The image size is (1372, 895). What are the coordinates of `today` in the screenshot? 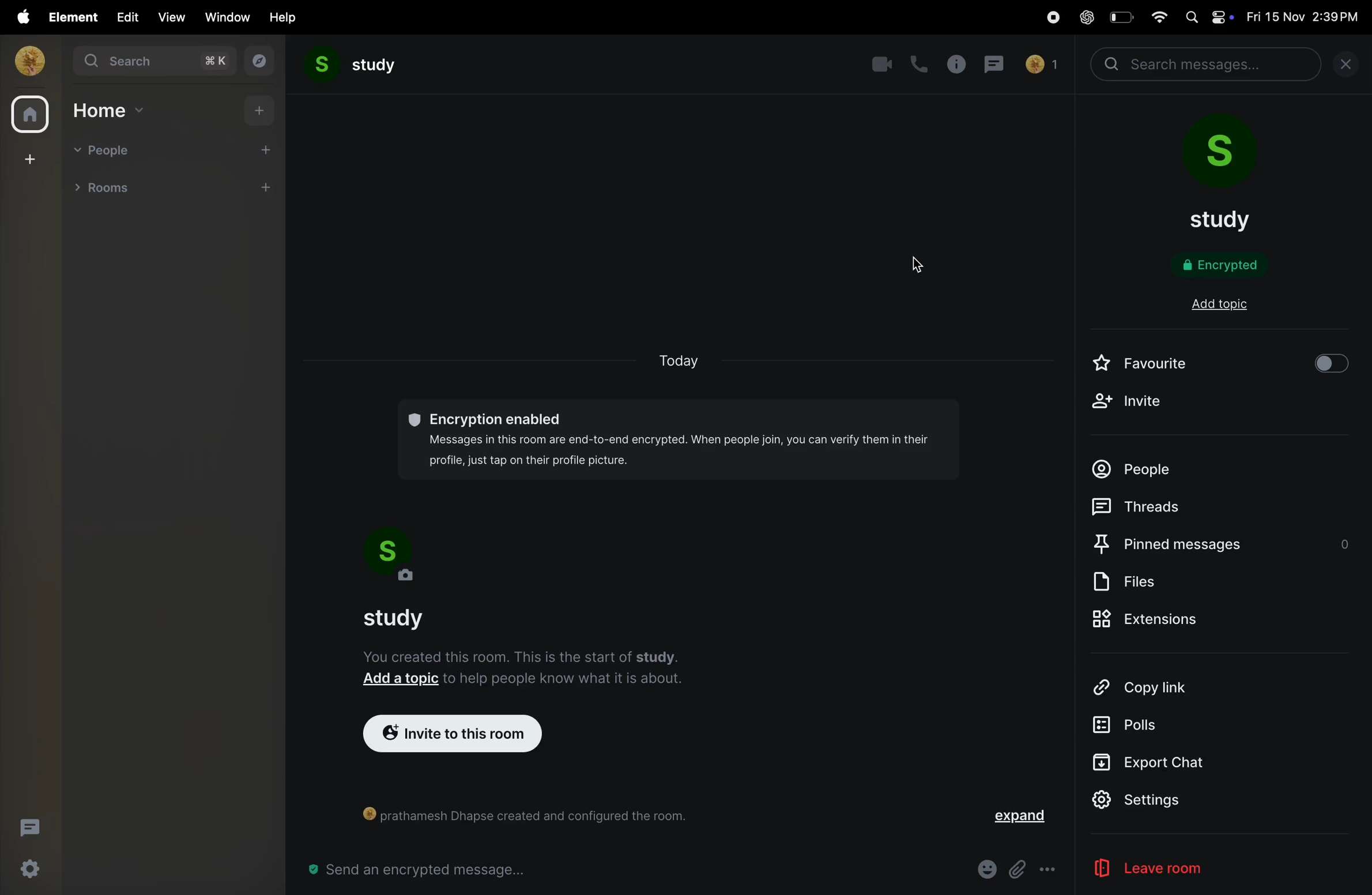 It's located at (691, 360).